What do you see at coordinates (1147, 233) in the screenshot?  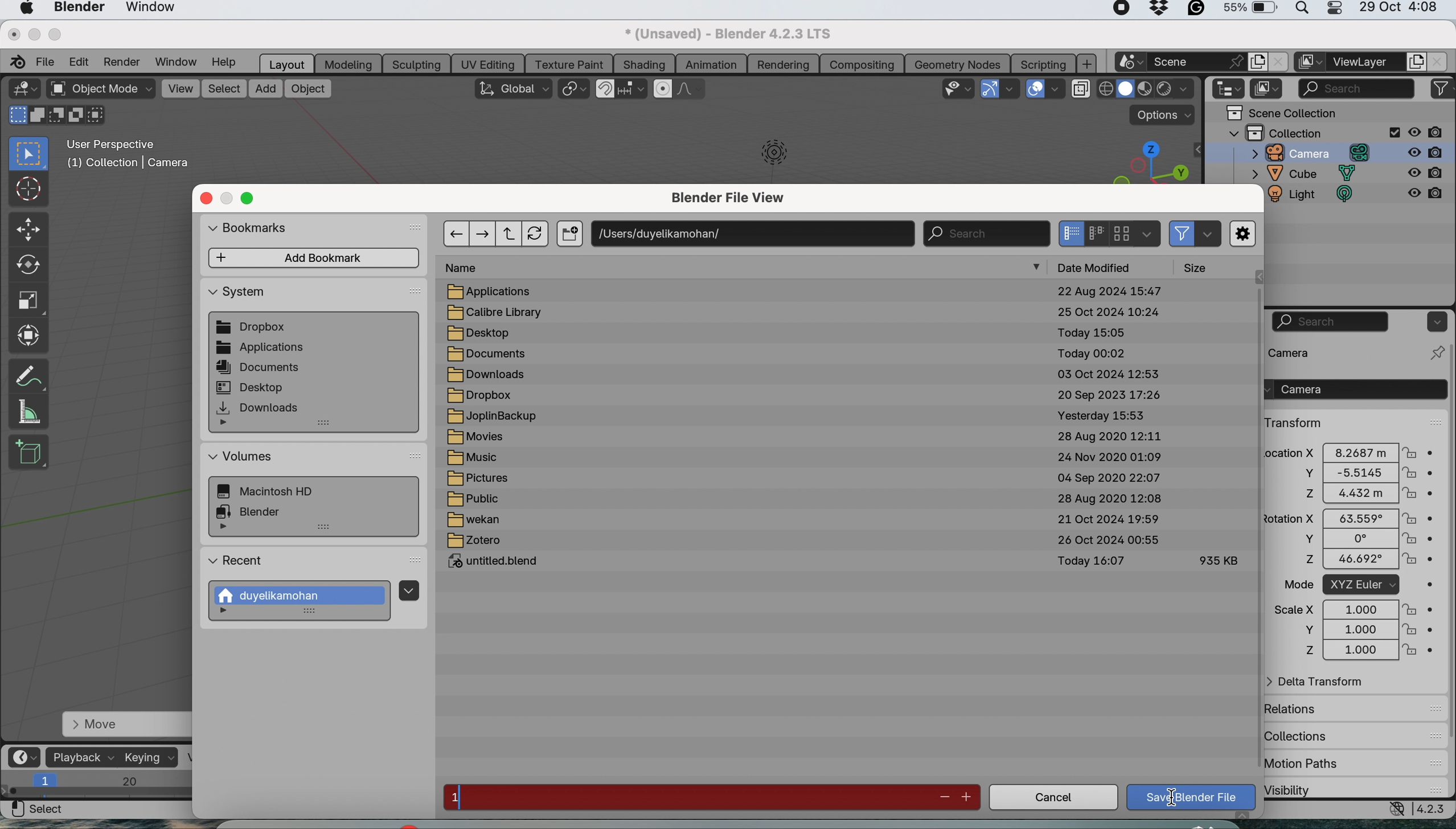 I see `display settings` at bounding box center [1147, 233].